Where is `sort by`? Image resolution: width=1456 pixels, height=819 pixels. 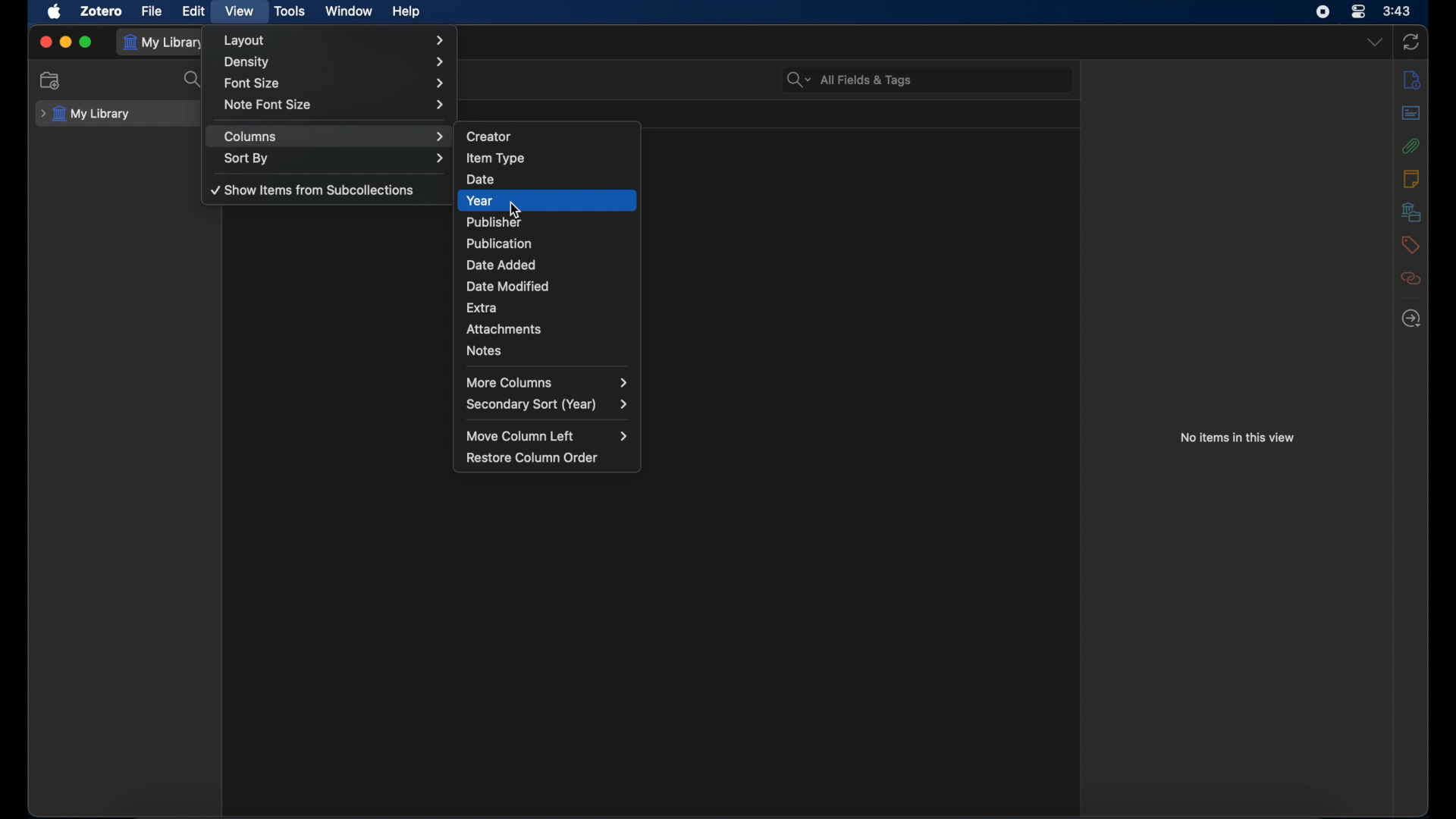 sort by is located at coordinates (336, 158).